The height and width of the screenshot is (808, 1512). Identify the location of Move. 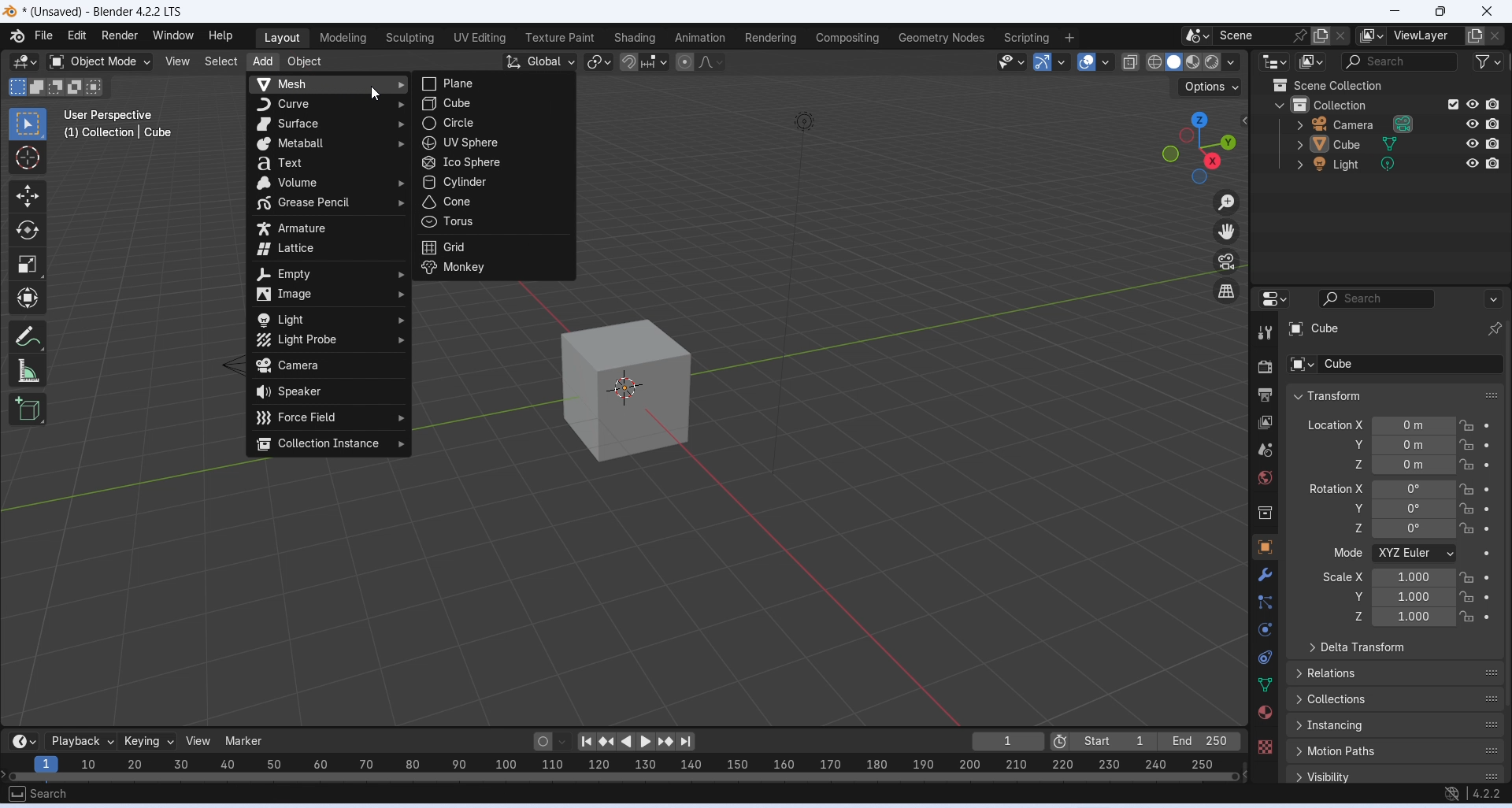
(27, 196).